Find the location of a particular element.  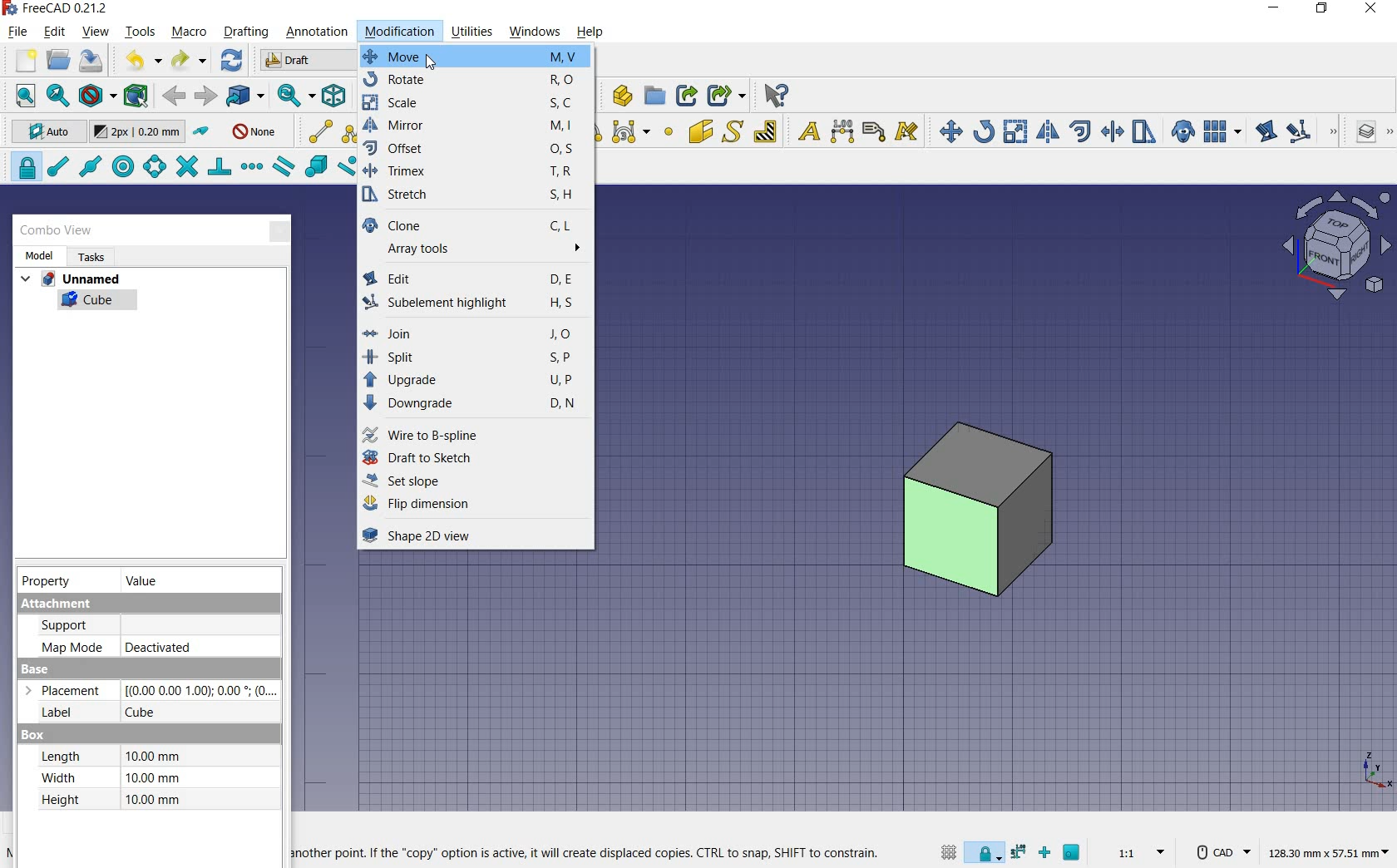

change default size for new objects is located at coordinates (137, 132).